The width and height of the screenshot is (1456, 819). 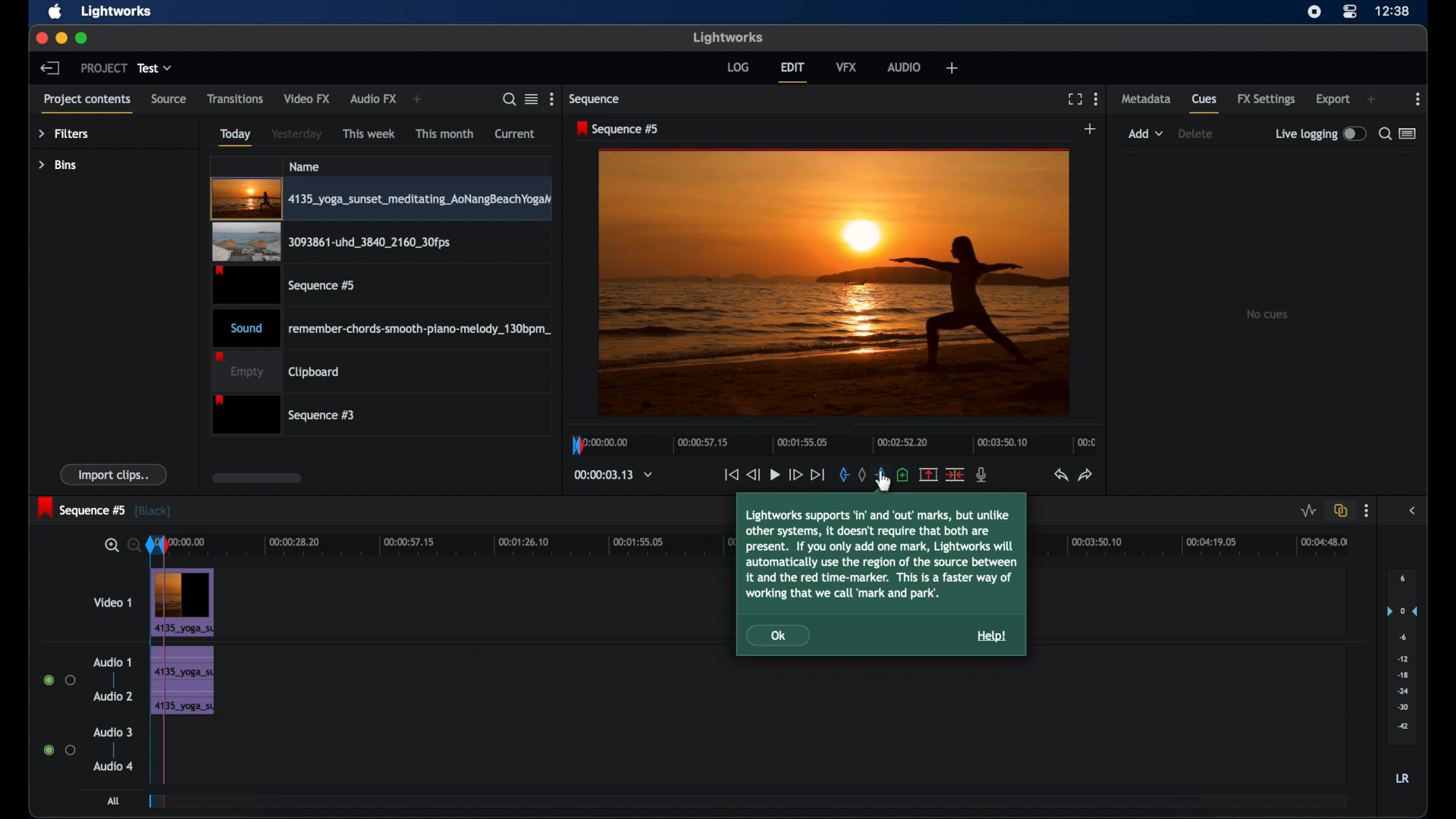 I want to click on project contents, so click(x=86, y=103).